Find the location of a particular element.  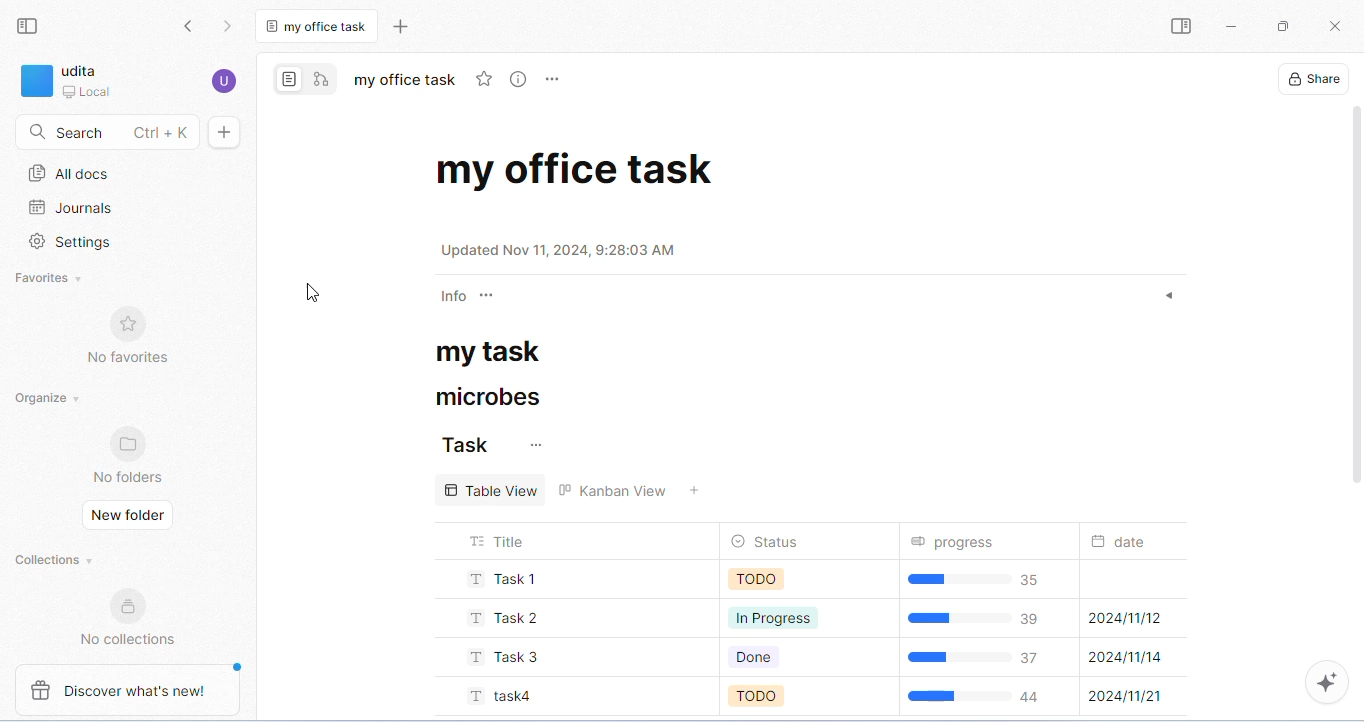

maximize is located at coordinates (1284, 26).